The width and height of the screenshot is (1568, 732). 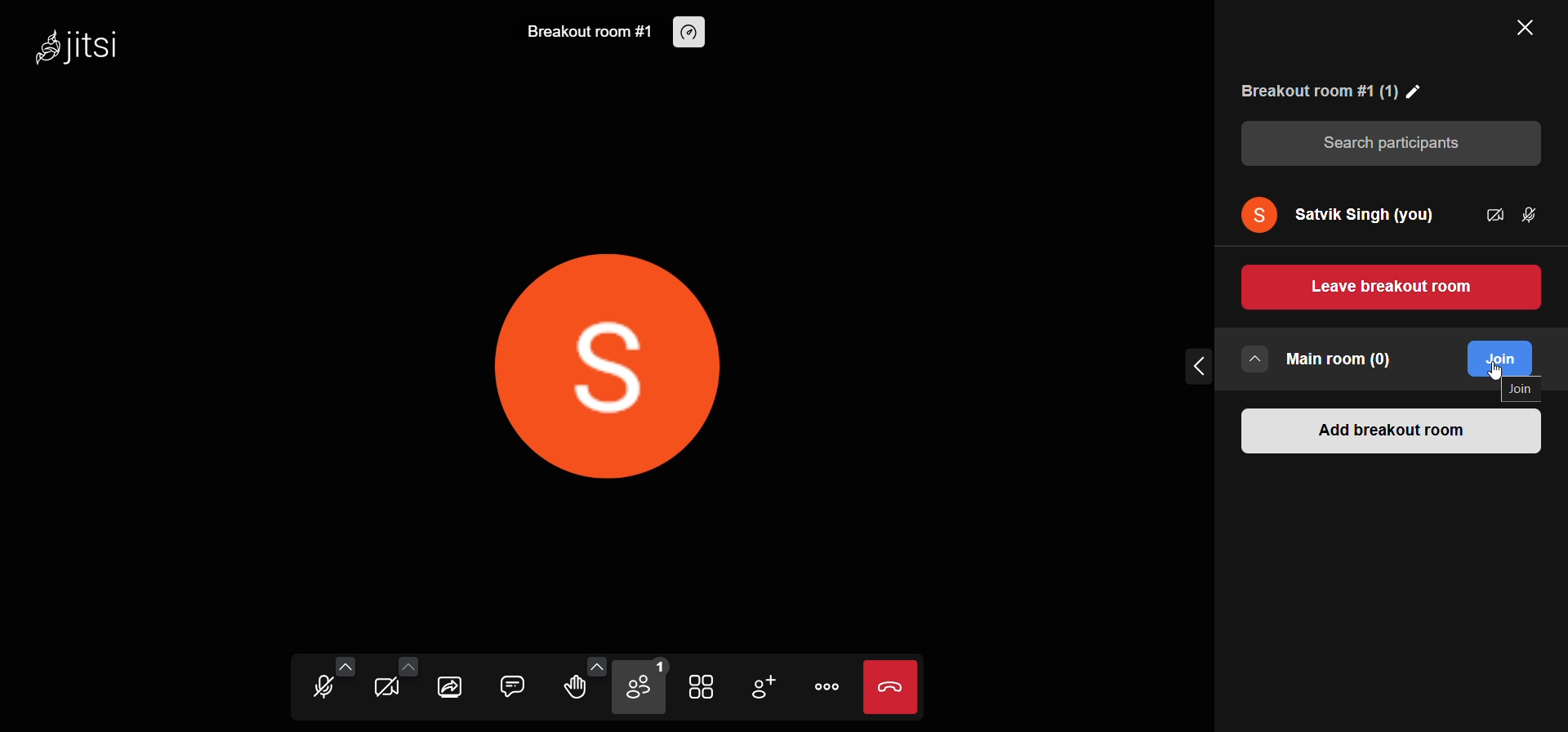 What do you see at coordinates (1494, 215) in the screenshot?
I see `camera` at bounding box center [1494, 215].